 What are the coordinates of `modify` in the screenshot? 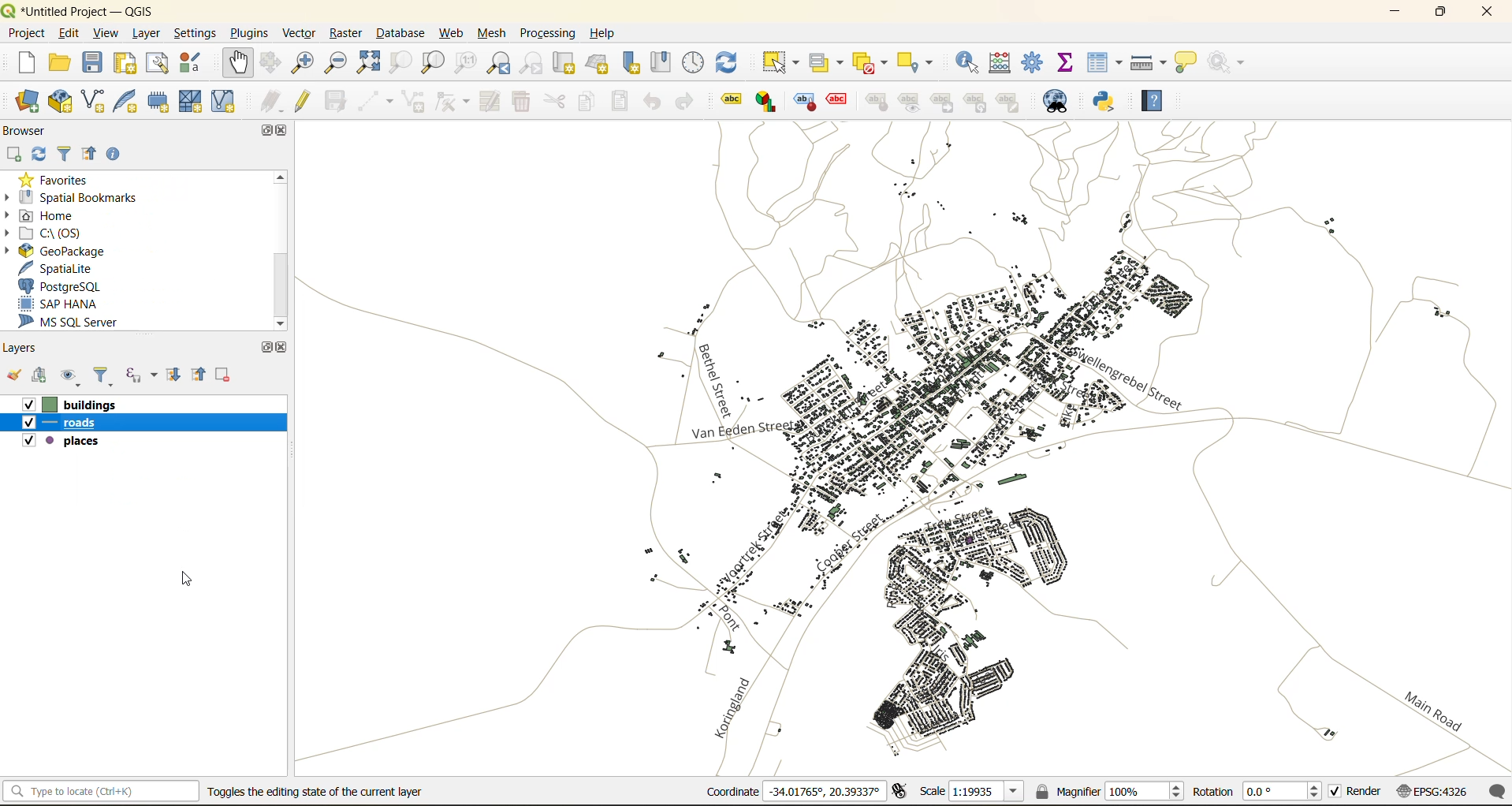 It's located at (490, 103).